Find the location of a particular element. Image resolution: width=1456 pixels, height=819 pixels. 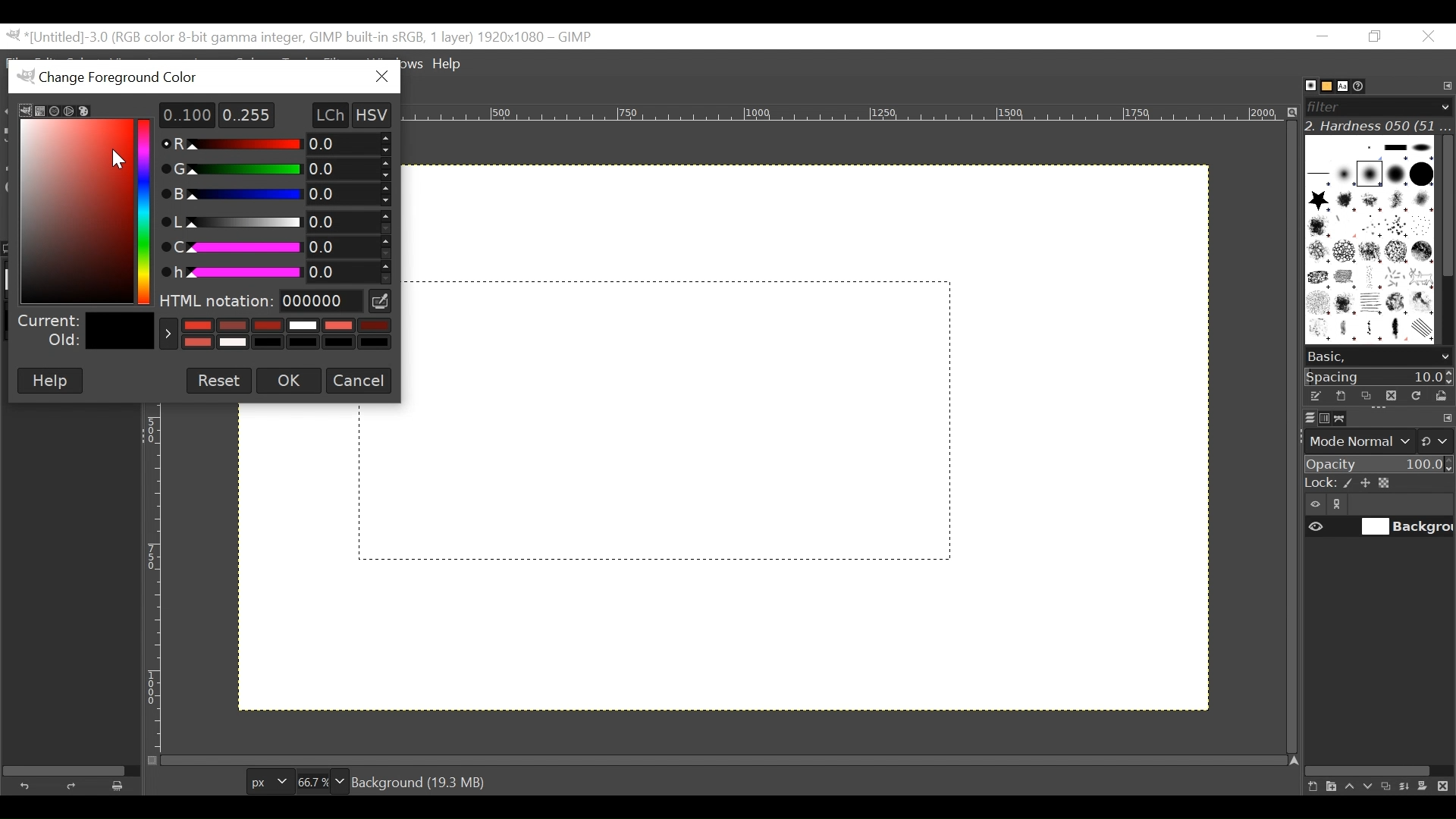

0.255 is located at coordinates (247, 114).